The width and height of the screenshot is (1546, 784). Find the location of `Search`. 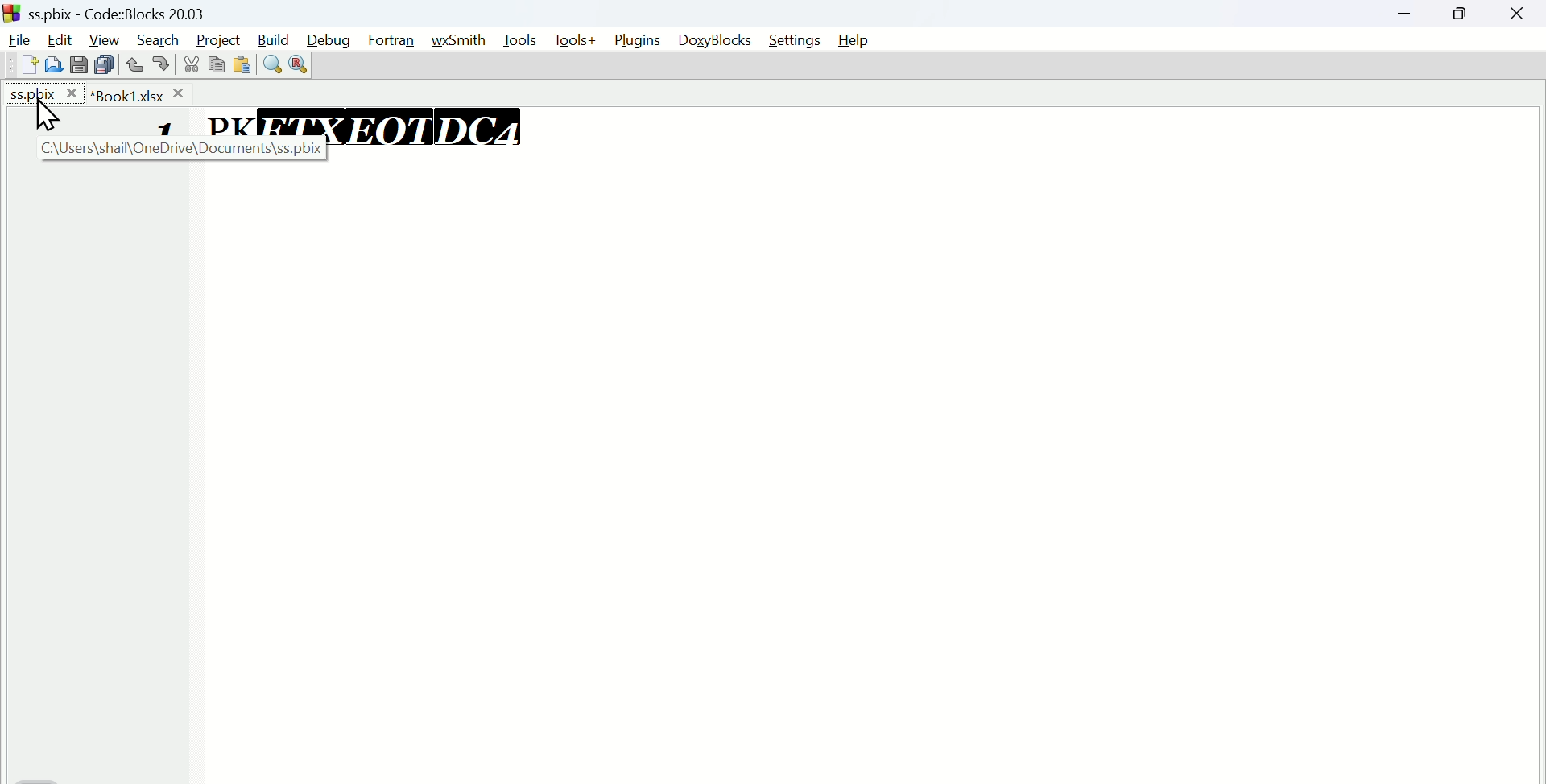

Search is located at coordinates (158, 38).